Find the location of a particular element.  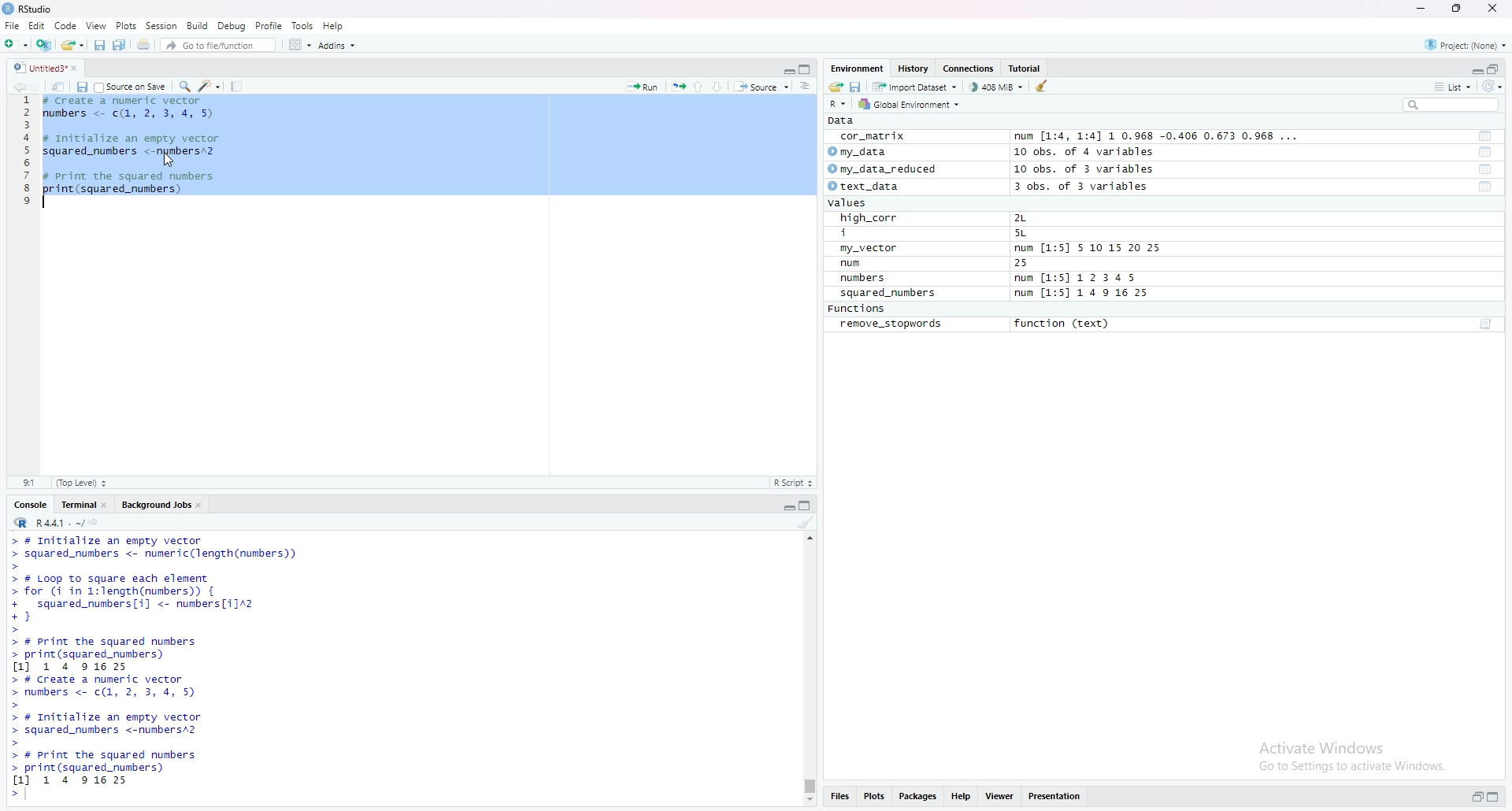

History. is located at coordinates (915, 68).